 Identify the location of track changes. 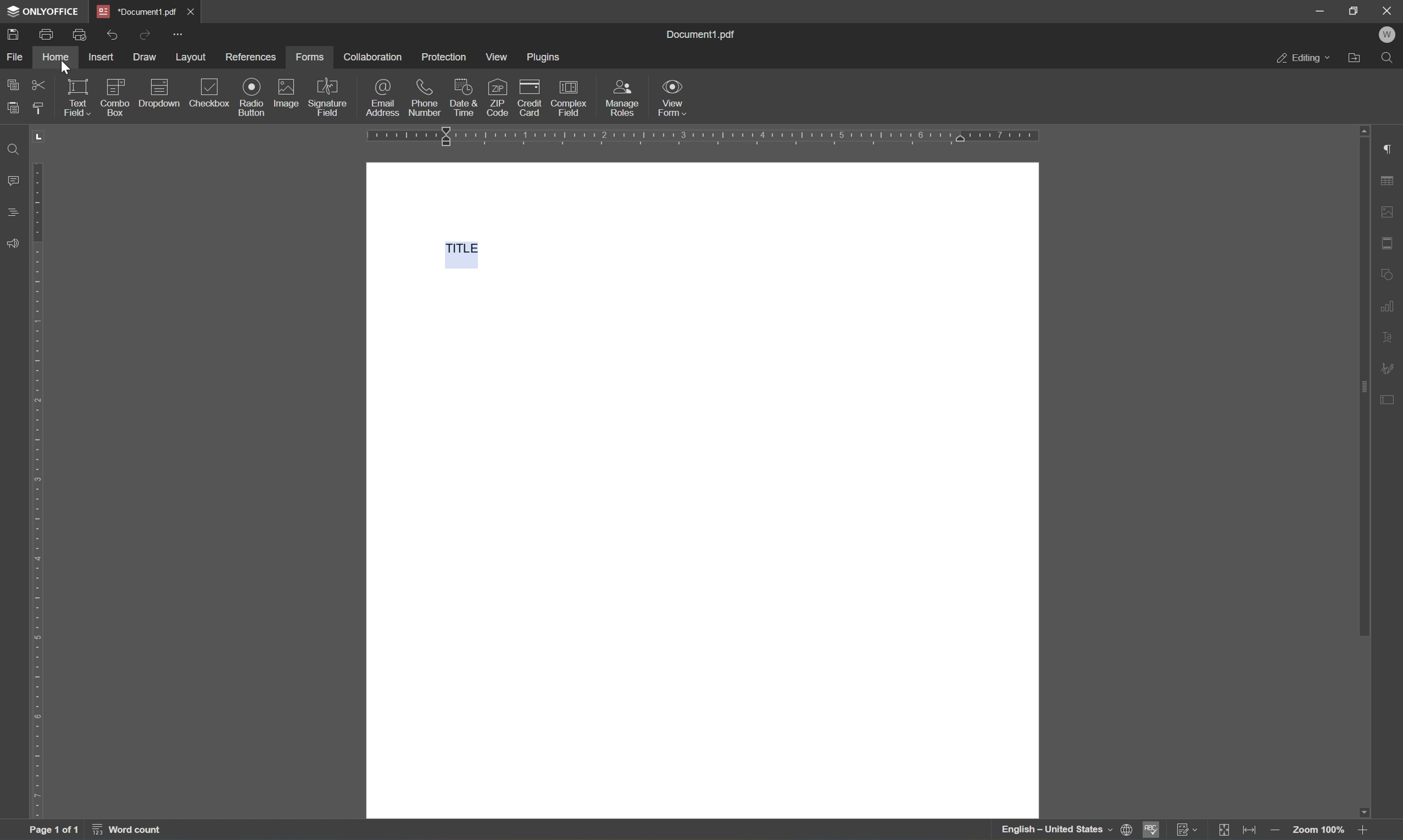
(1187, 830).